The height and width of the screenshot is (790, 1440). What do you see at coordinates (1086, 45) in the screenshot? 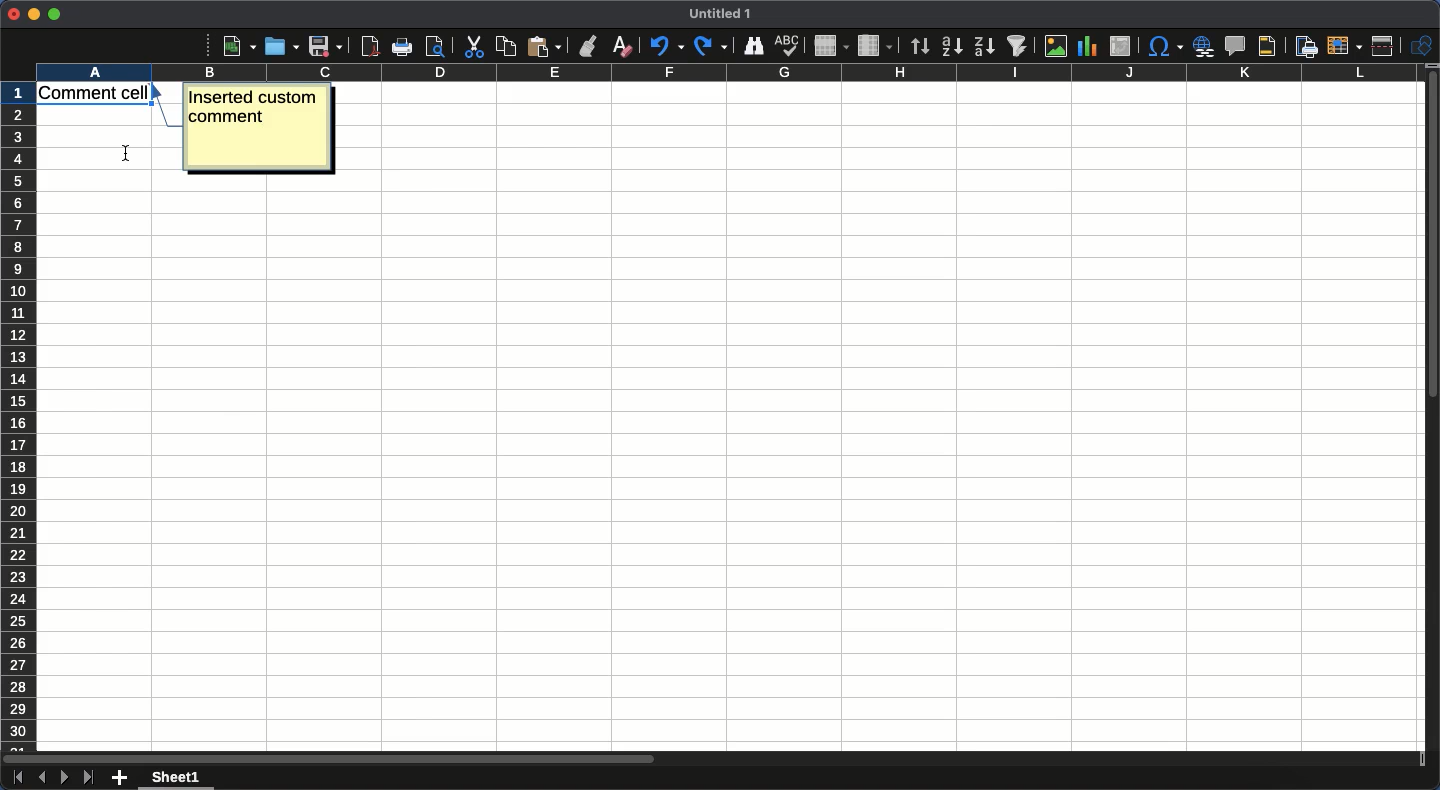
I see `Chart` at bounding box center [1086, 45].